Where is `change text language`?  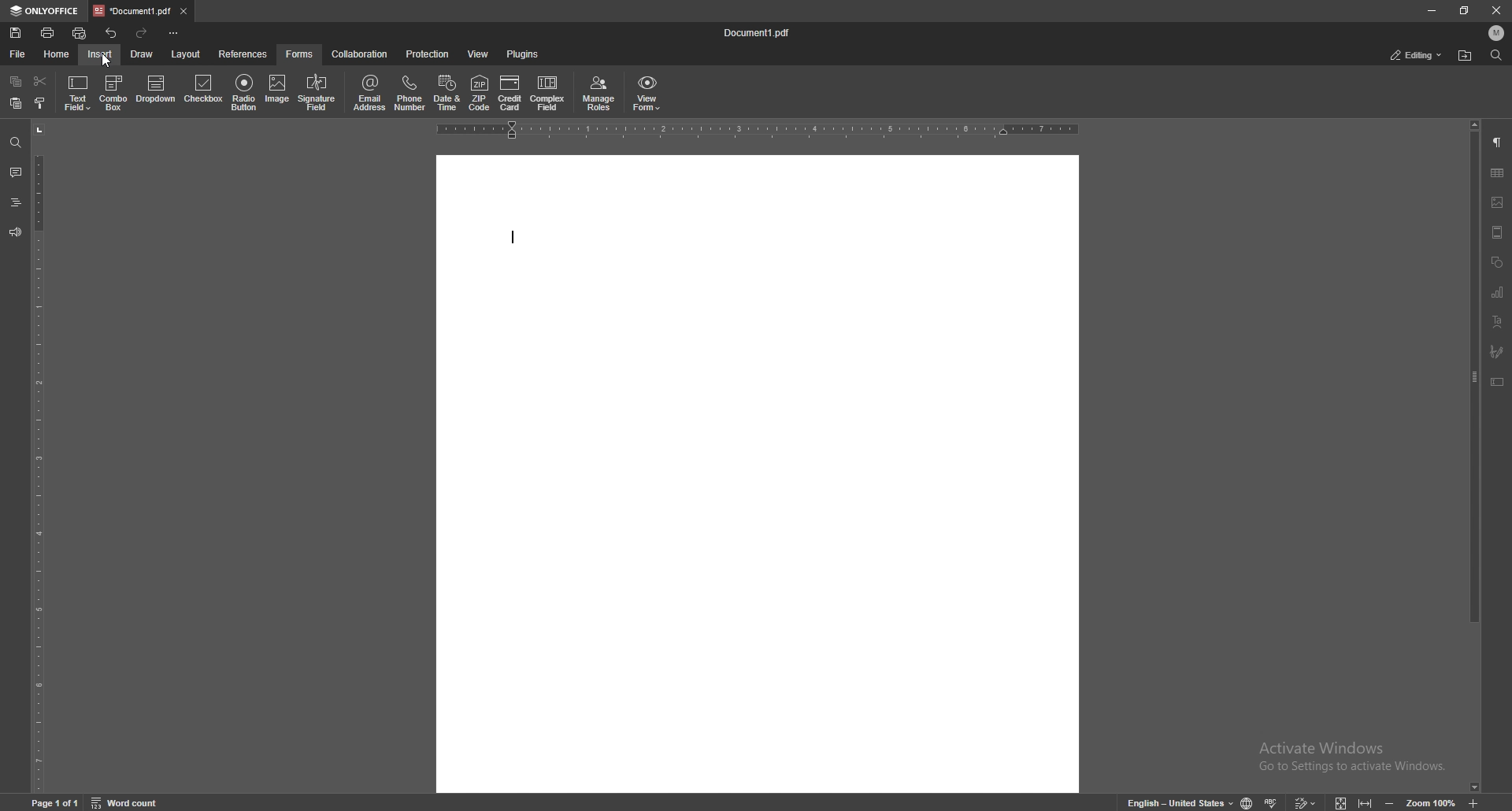 change text language is located at coordinates (1178, 802).